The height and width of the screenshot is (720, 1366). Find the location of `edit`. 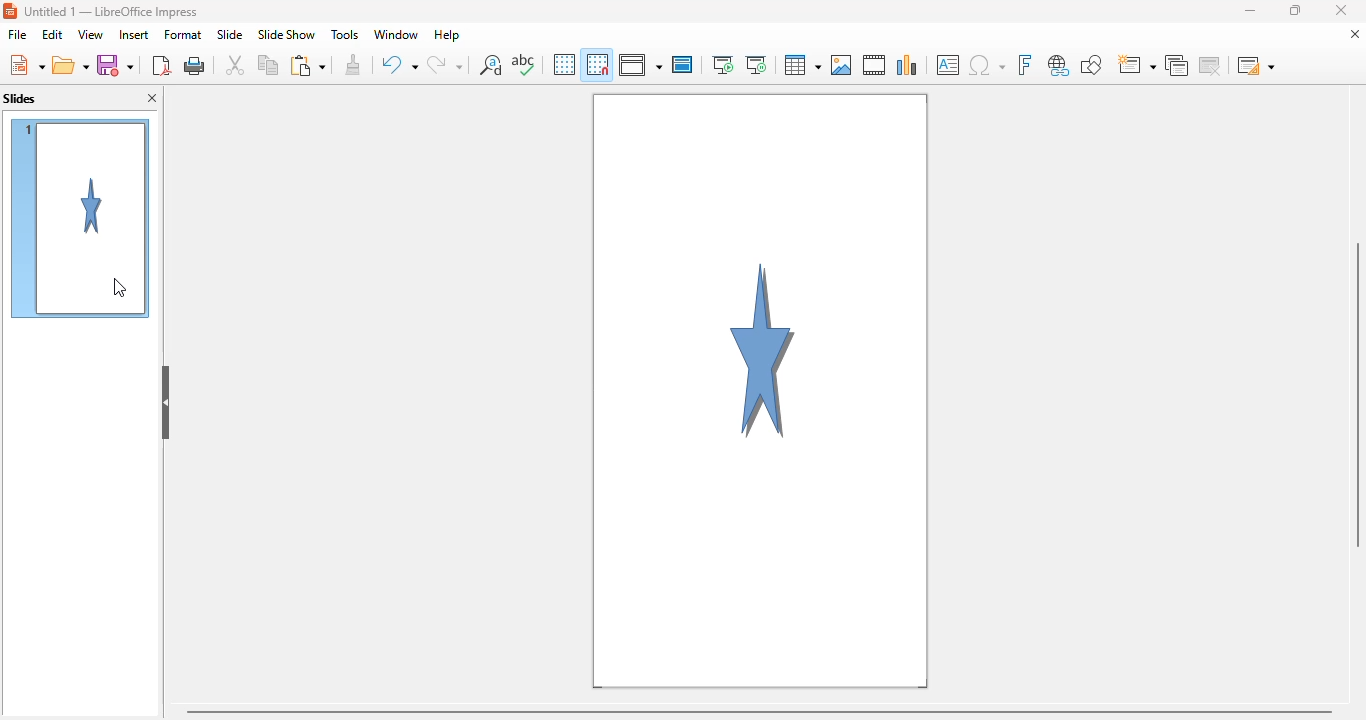

edit is located at coordinates (53, 35).